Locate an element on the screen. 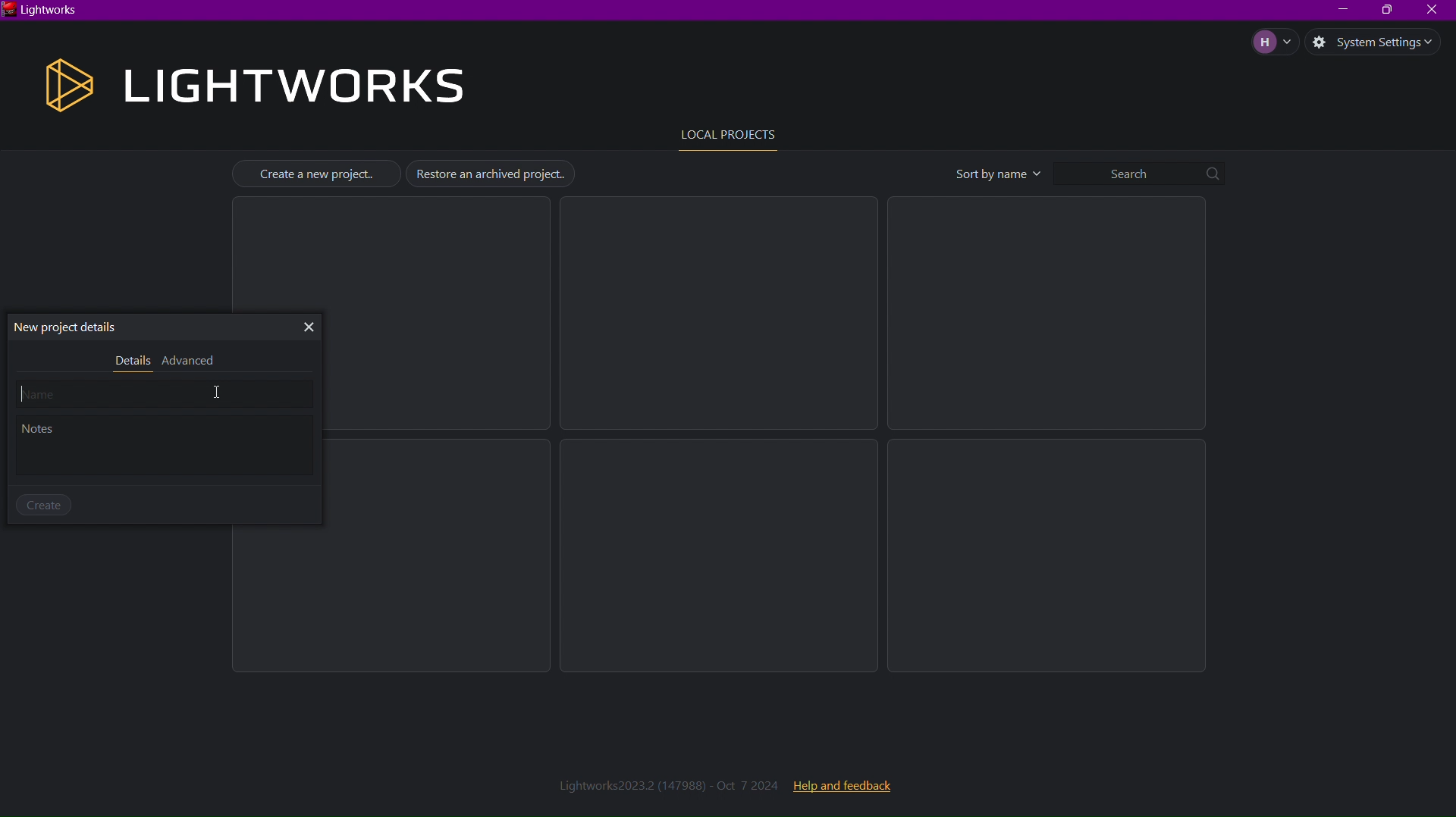  Restore an archived project is located at coordinates (489, 174).